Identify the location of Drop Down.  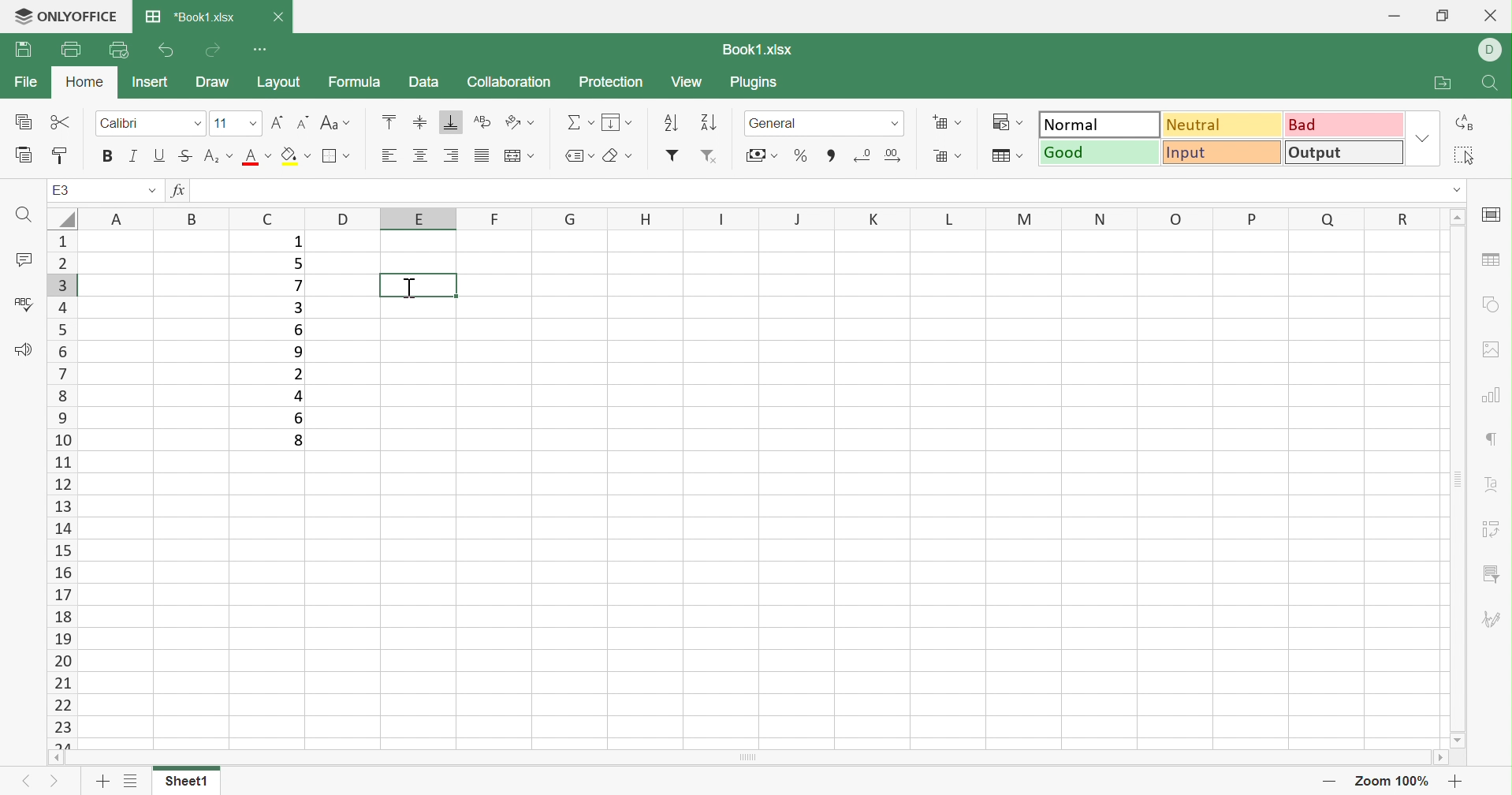
(197, 123).